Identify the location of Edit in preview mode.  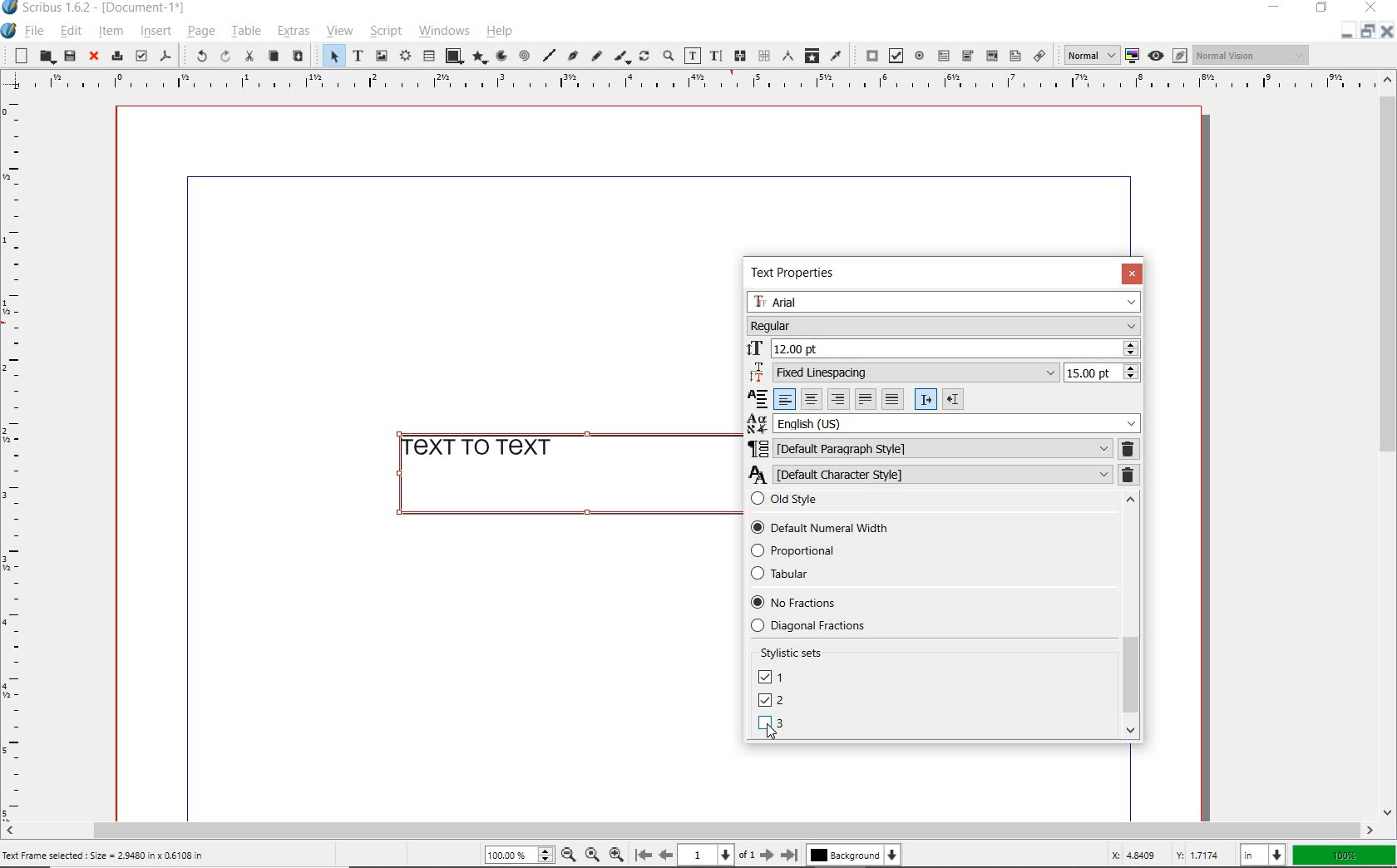
(1179, 57).